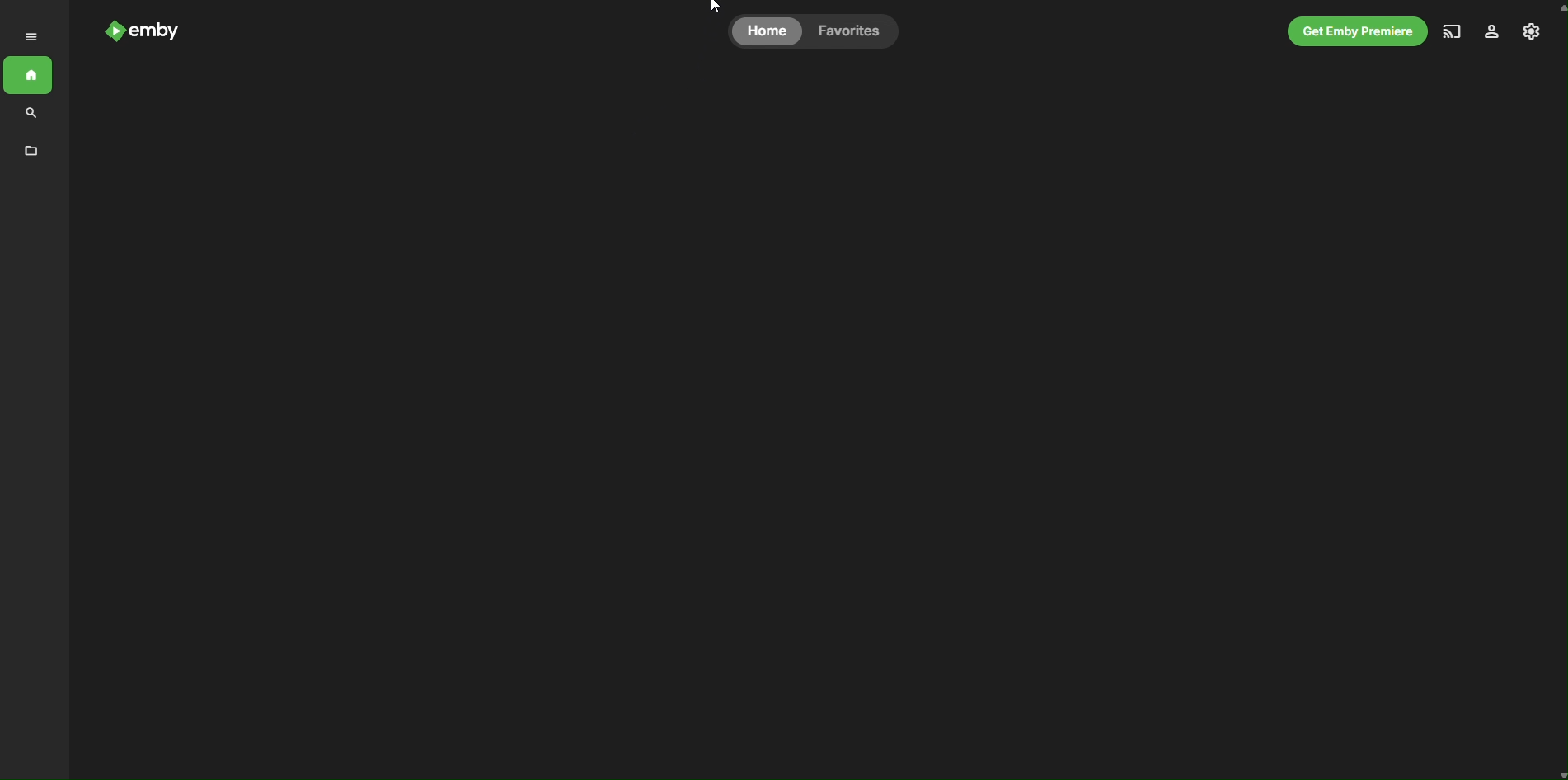 This screenshot has width=1568, height=780. Describe the element at coordinates (28, 115) in the screenshot. I see `Search` at that location.